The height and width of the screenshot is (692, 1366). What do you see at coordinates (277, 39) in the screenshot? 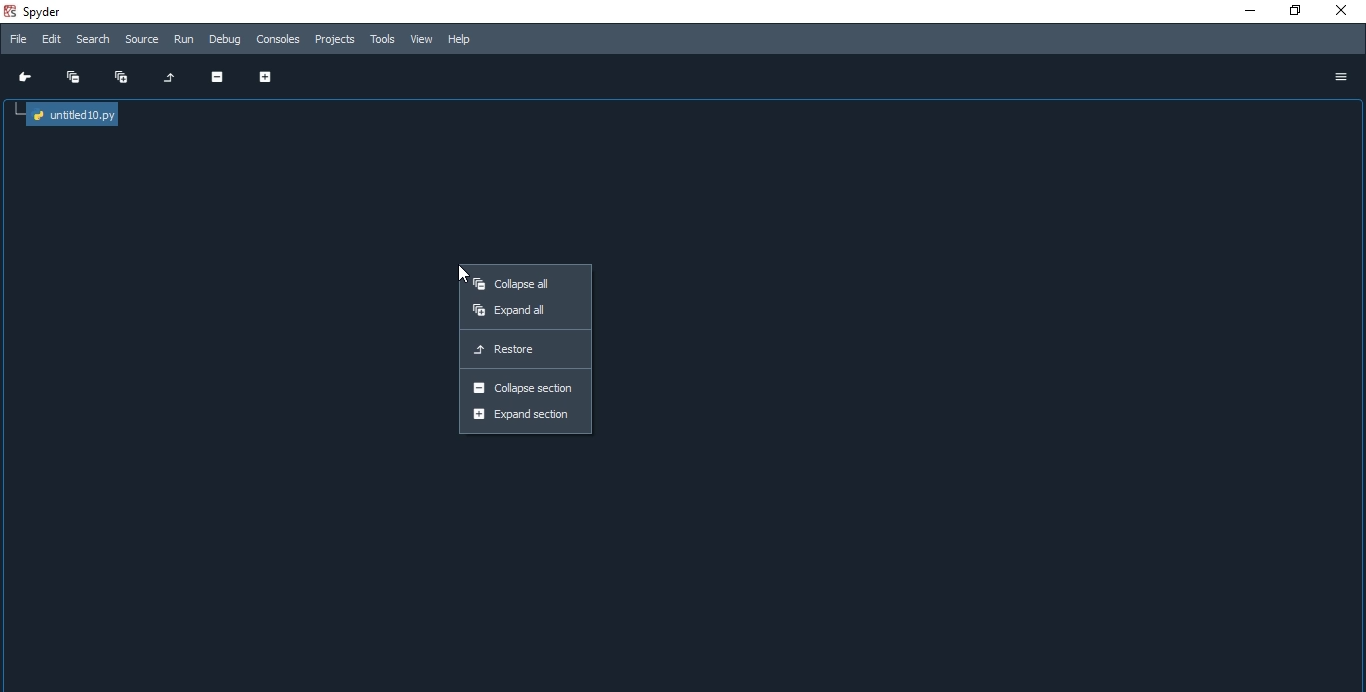
I see `Consoles` at bounding box center [277, 39].